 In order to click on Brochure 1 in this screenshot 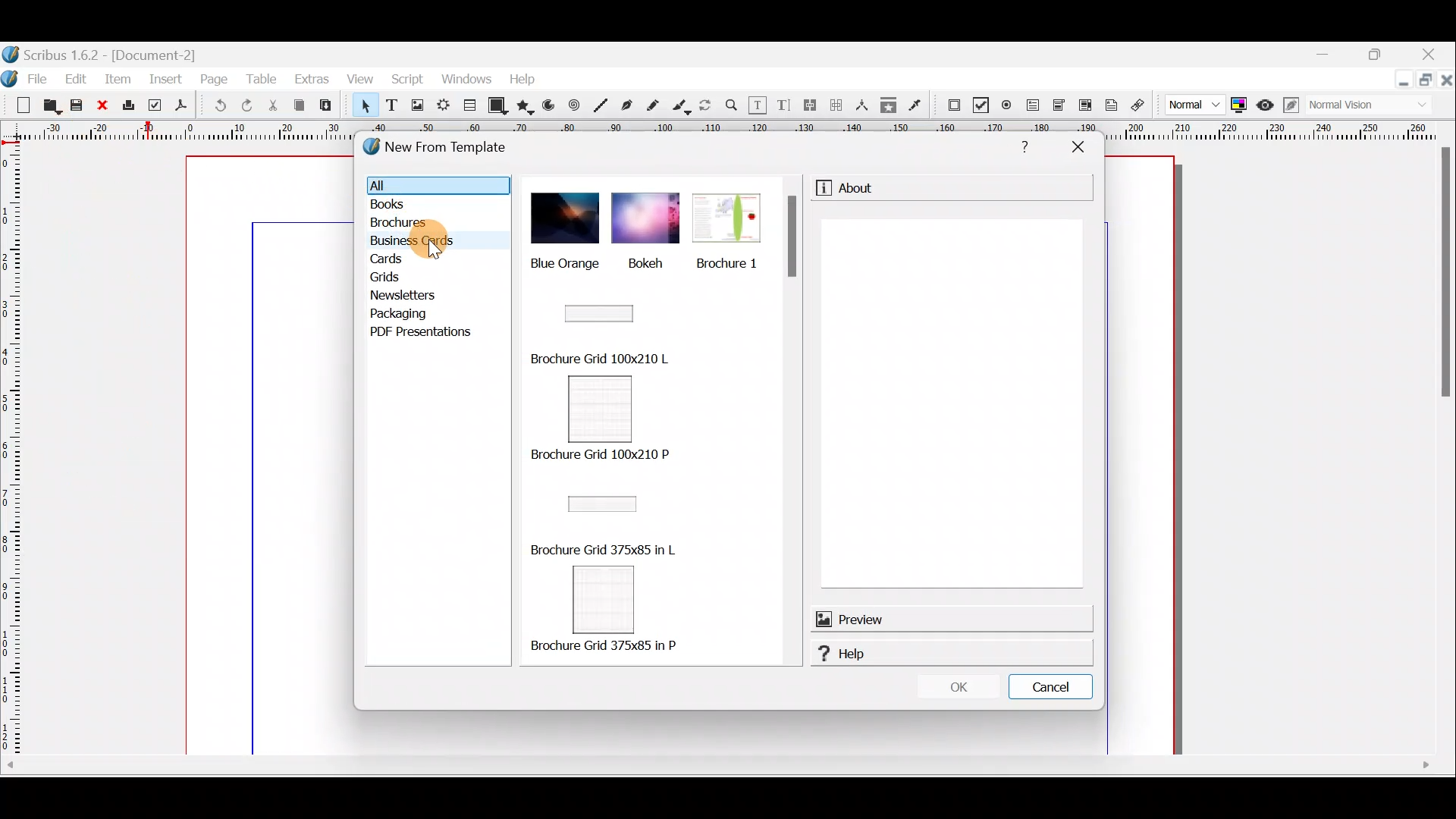, I will do `click(731, 265)`.